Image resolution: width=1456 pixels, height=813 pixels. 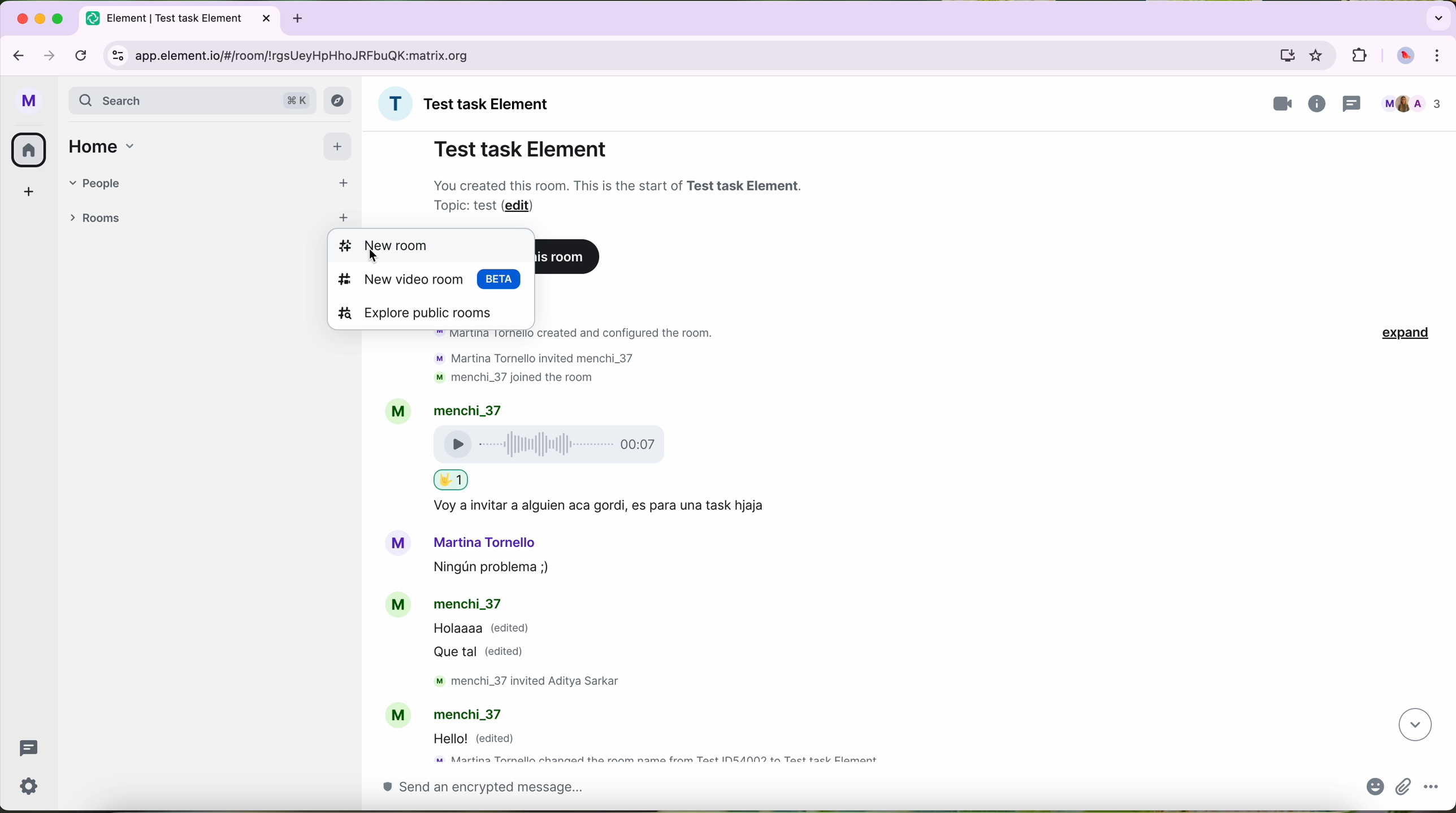 What do you see at coordinates (343, 215) in the screenshot?
I see `add room button` at bounding box center [343, 215].